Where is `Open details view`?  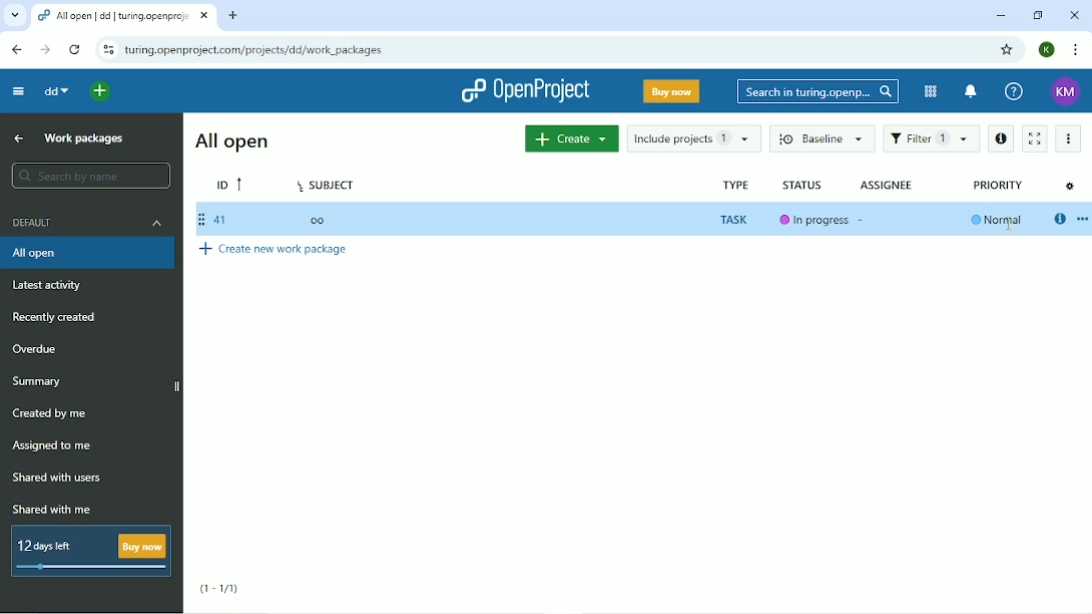 Open details view is located at coordinates (1000, 140).